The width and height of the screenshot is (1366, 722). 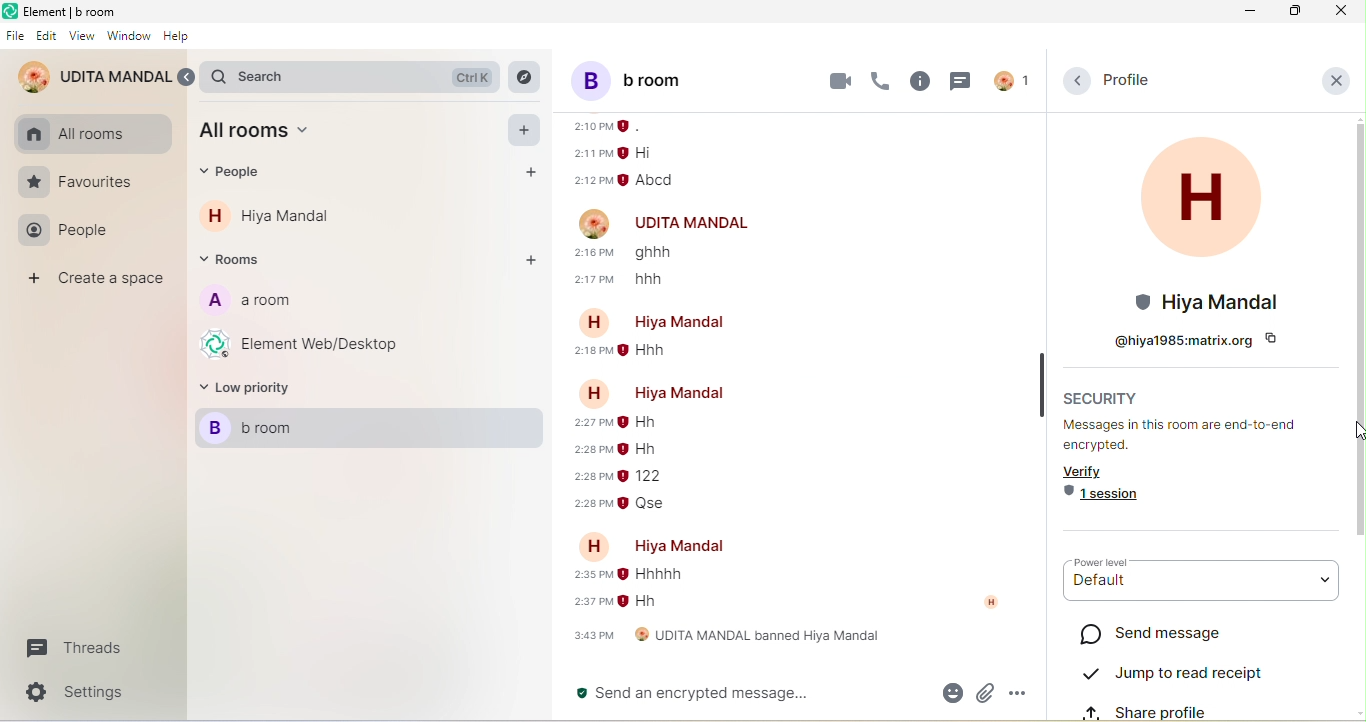 I want to click on hhhhh-older message of hiya mandal, so click(x=654, y=575).